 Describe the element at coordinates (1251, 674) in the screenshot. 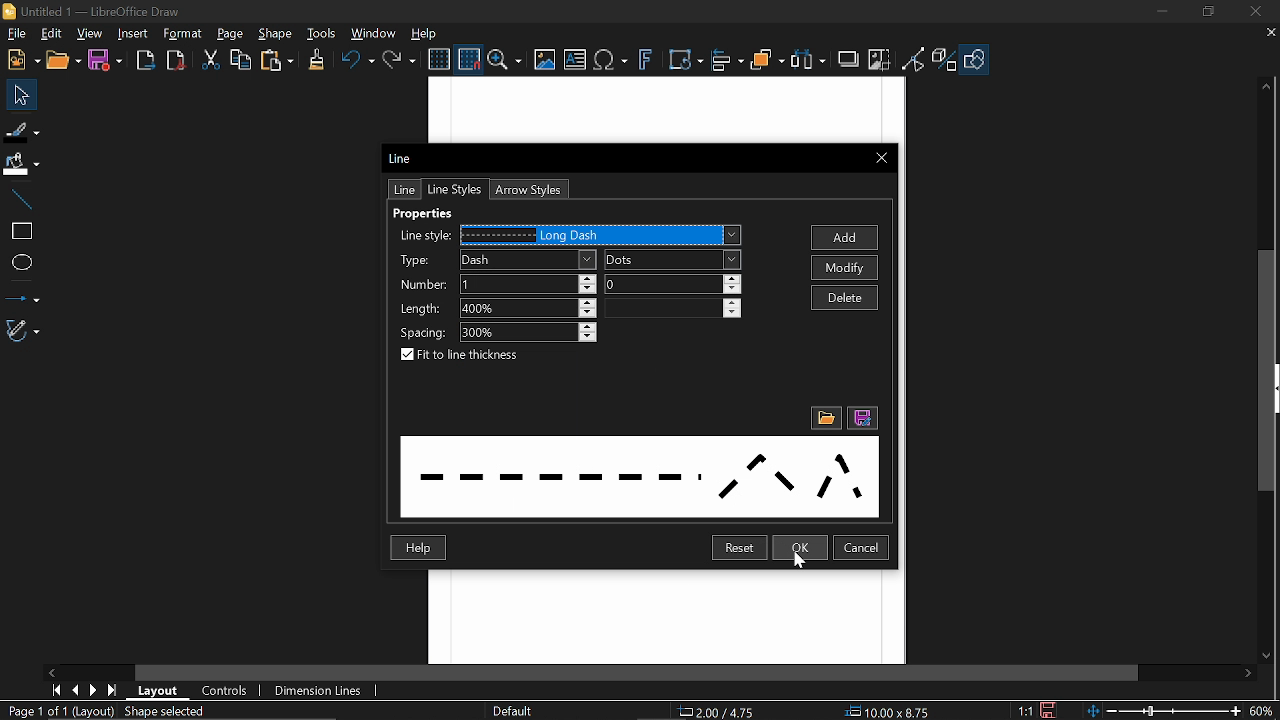

I see `Move right` at that location.